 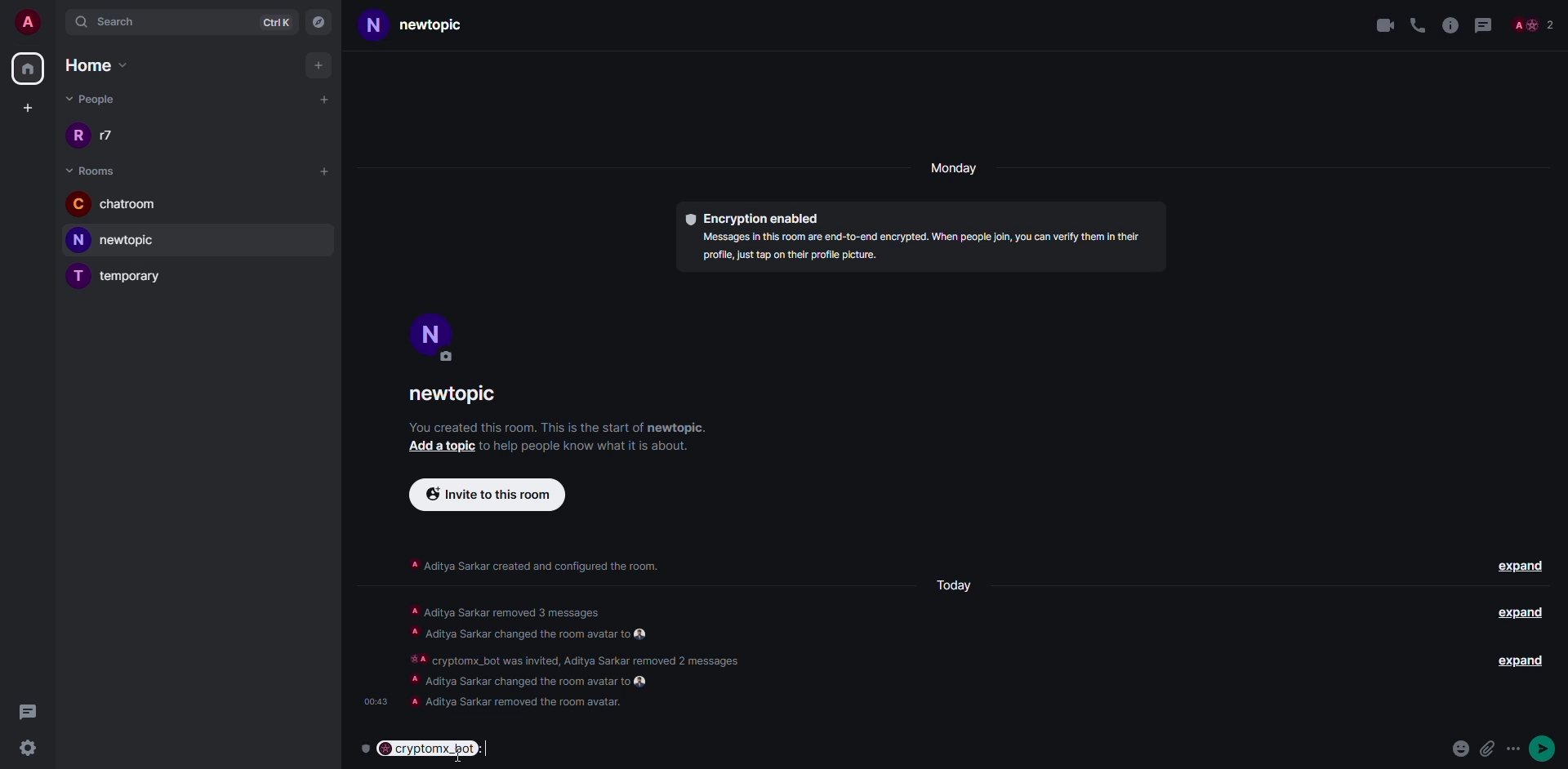 I want to click on home, so click(x=27, y=69).